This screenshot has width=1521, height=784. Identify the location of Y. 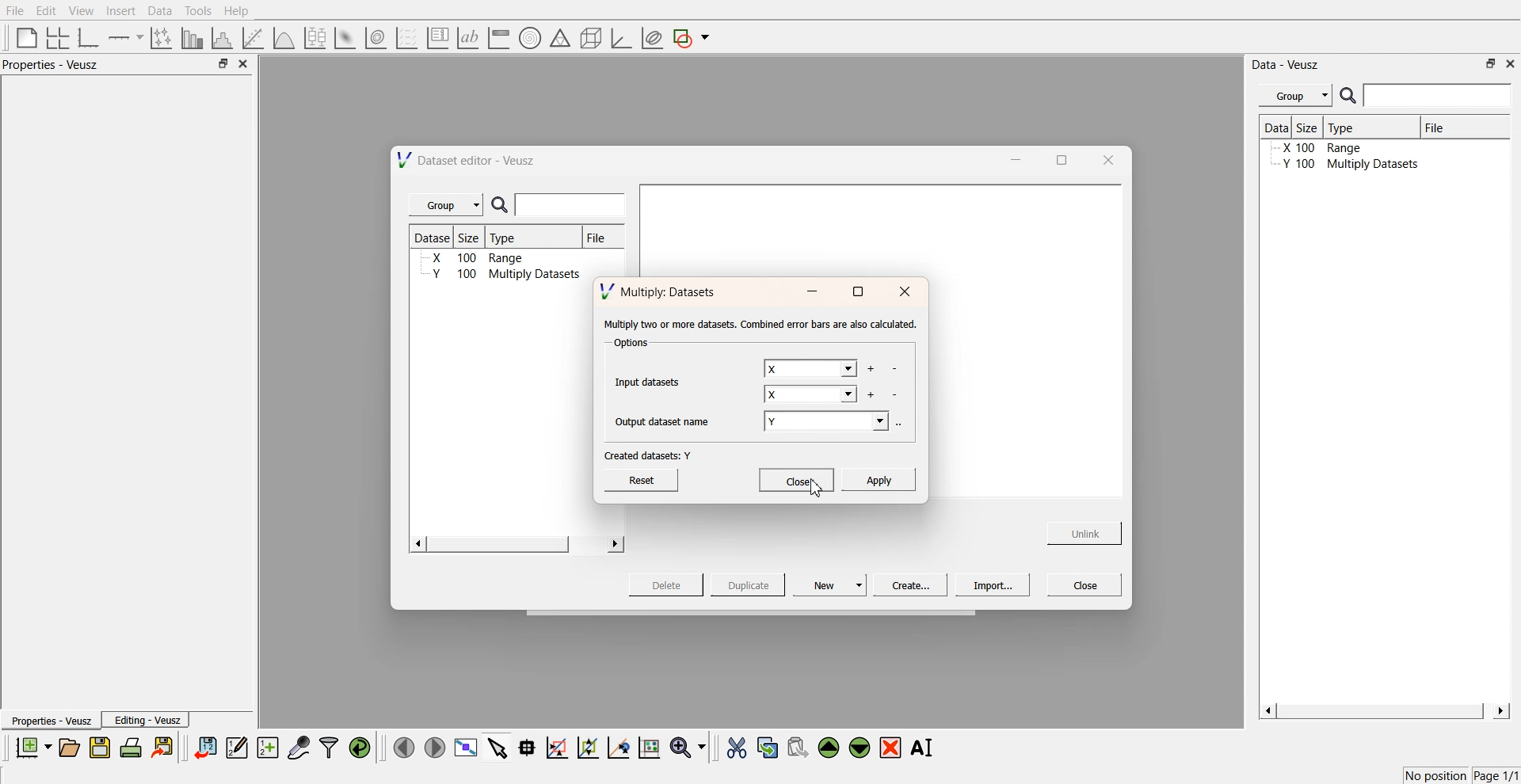
(829, 423).